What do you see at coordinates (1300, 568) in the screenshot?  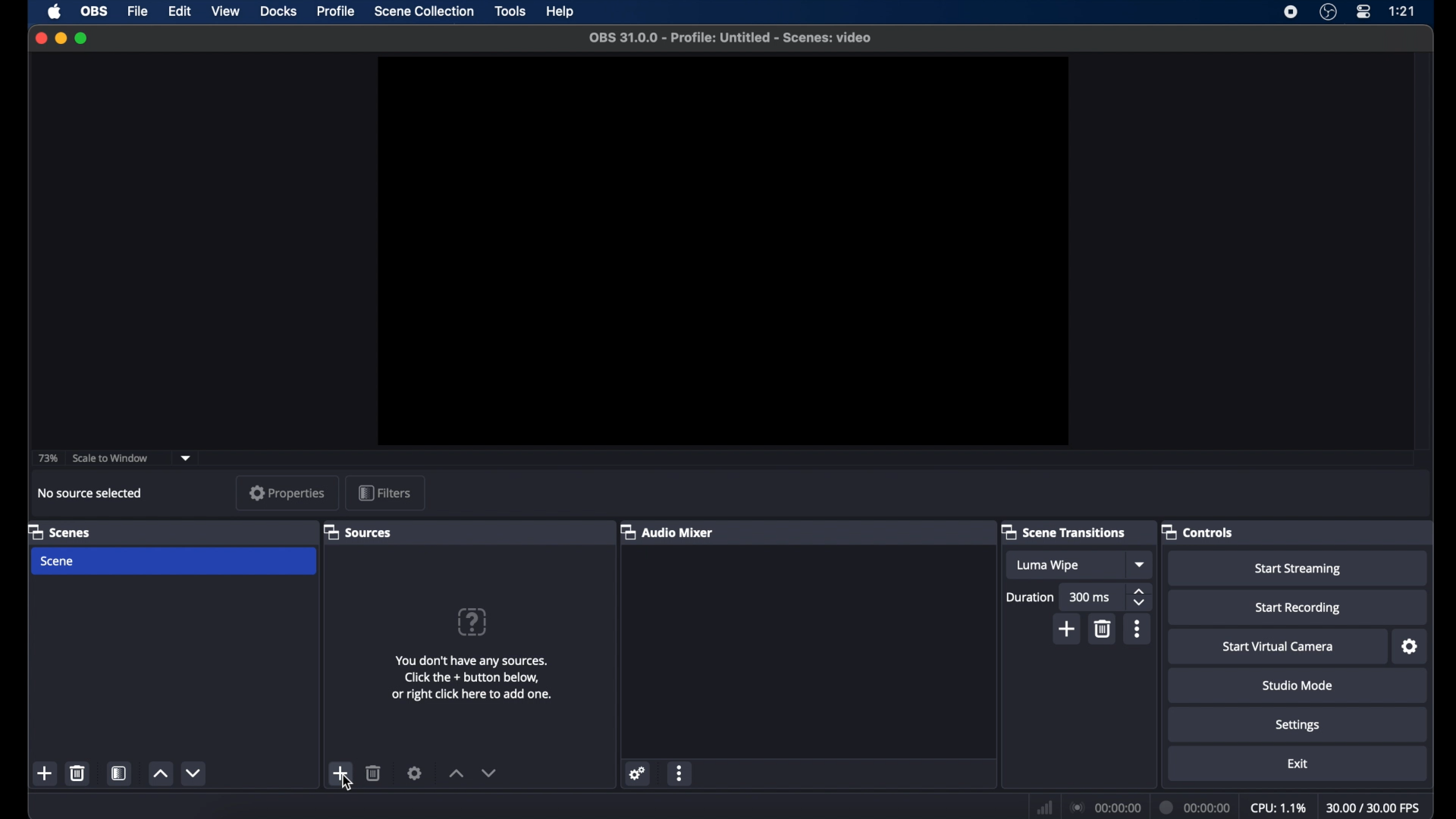 I see `start streaming` at bounding box center [1300, 568].